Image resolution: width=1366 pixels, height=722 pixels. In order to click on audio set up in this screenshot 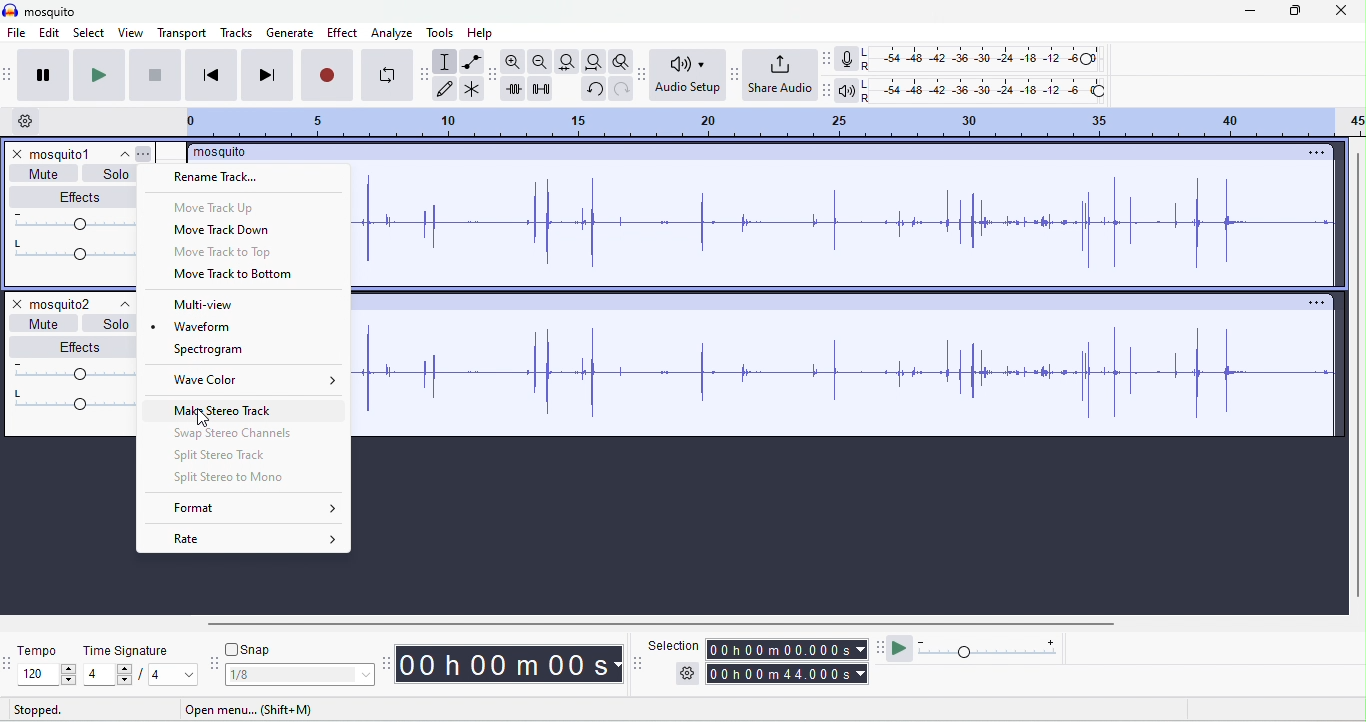, I will do `click(685, 74)`.